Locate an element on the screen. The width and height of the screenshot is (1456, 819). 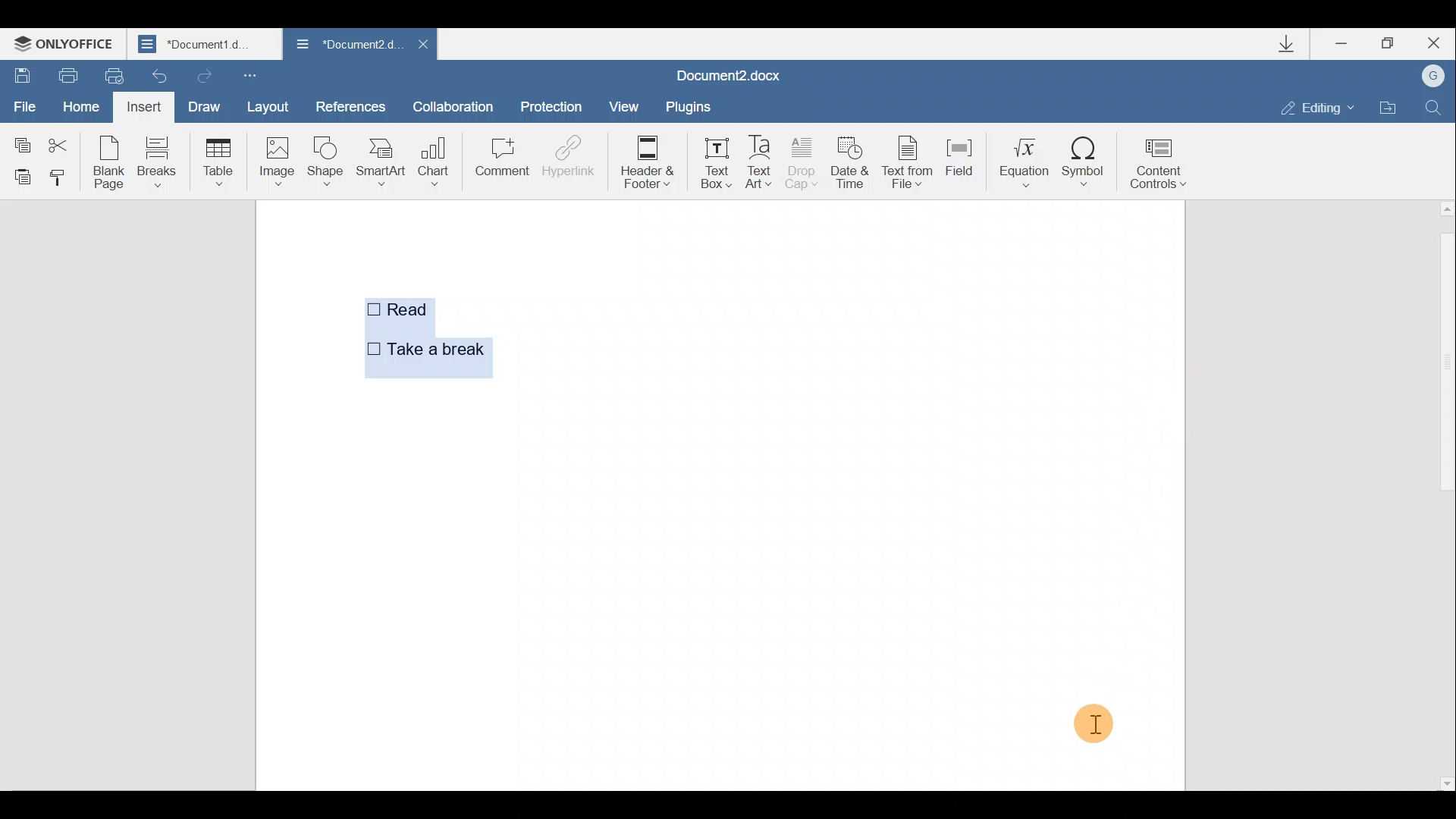
SmartArt is located at coordinates (381, 162).